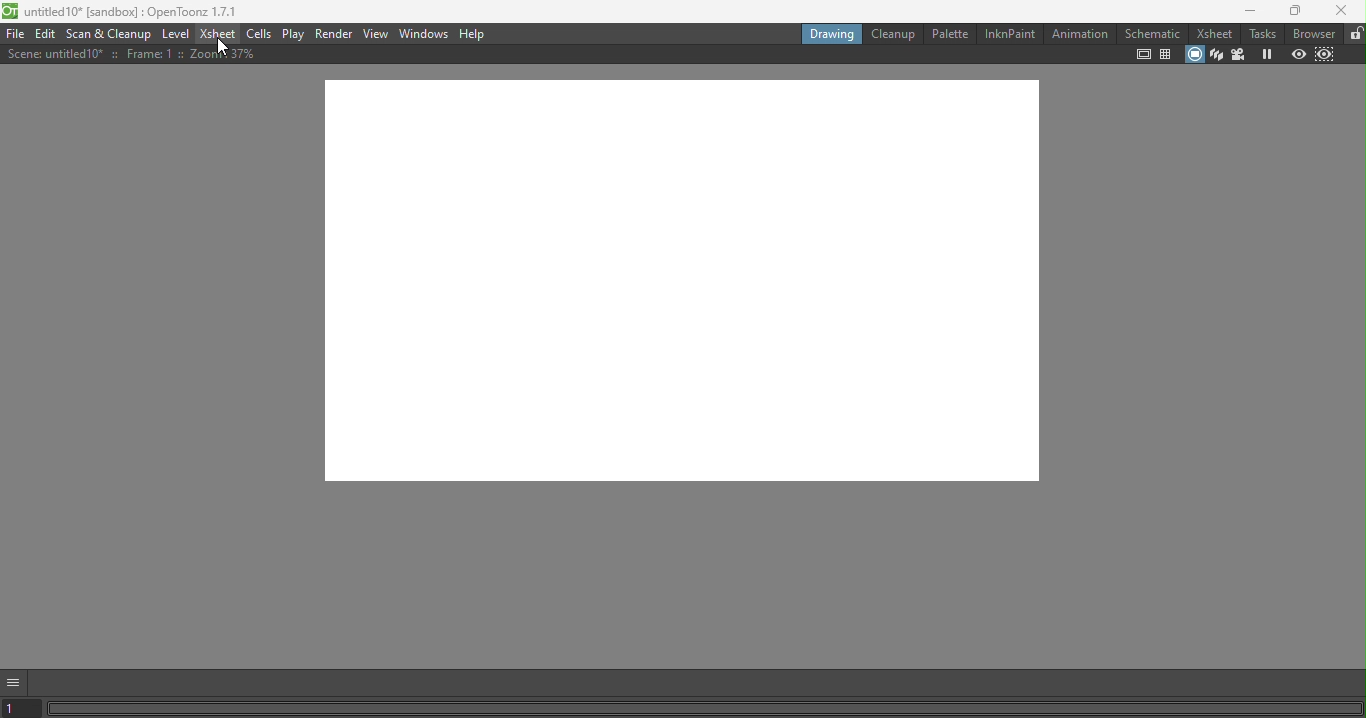 This screenshot has width=1366, height=718. I want to click on Safe area, so click(1142, 55).